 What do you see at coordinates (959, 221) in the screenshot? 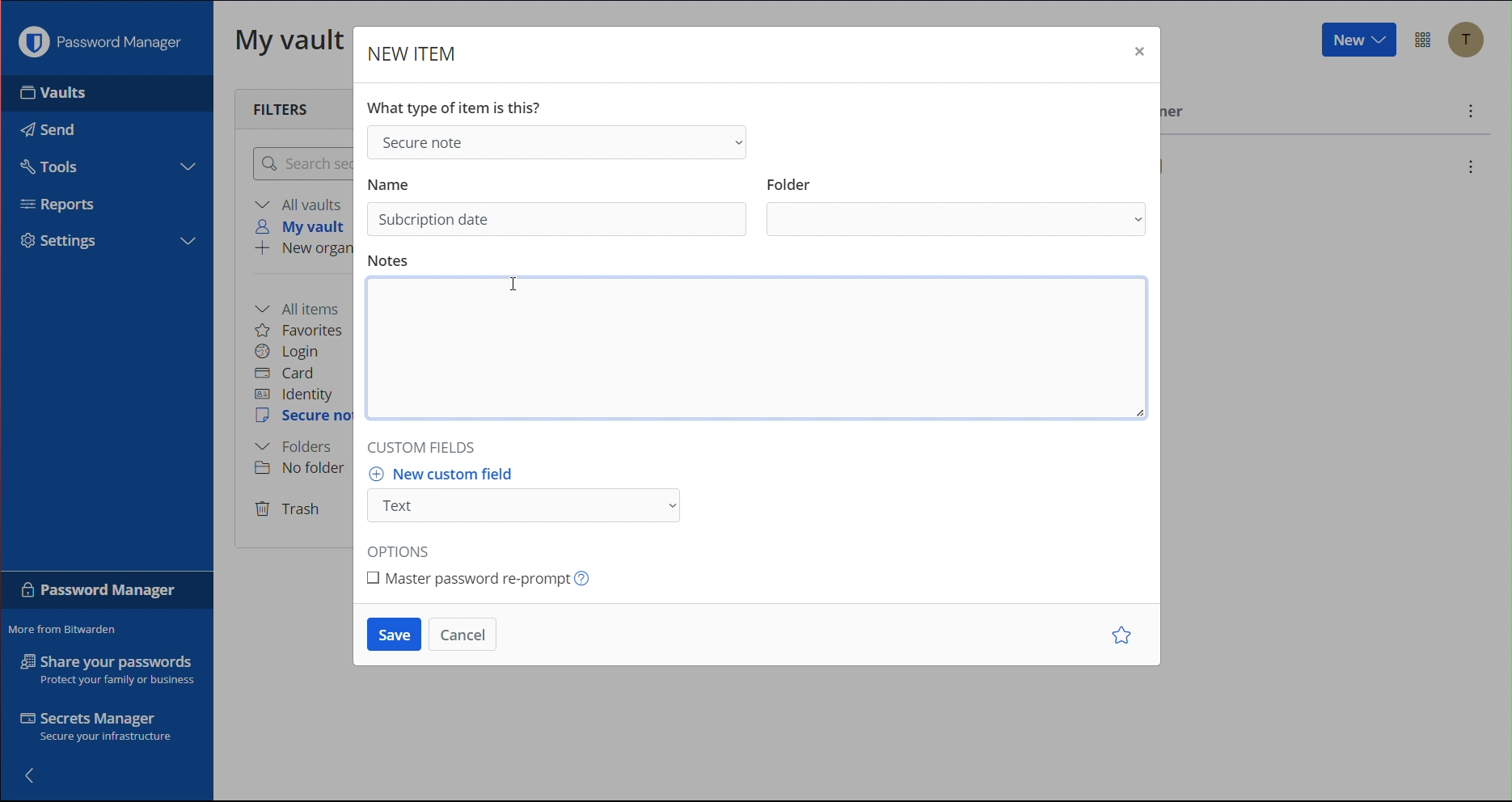
I see `Folder` at bounding box center [959, 221].